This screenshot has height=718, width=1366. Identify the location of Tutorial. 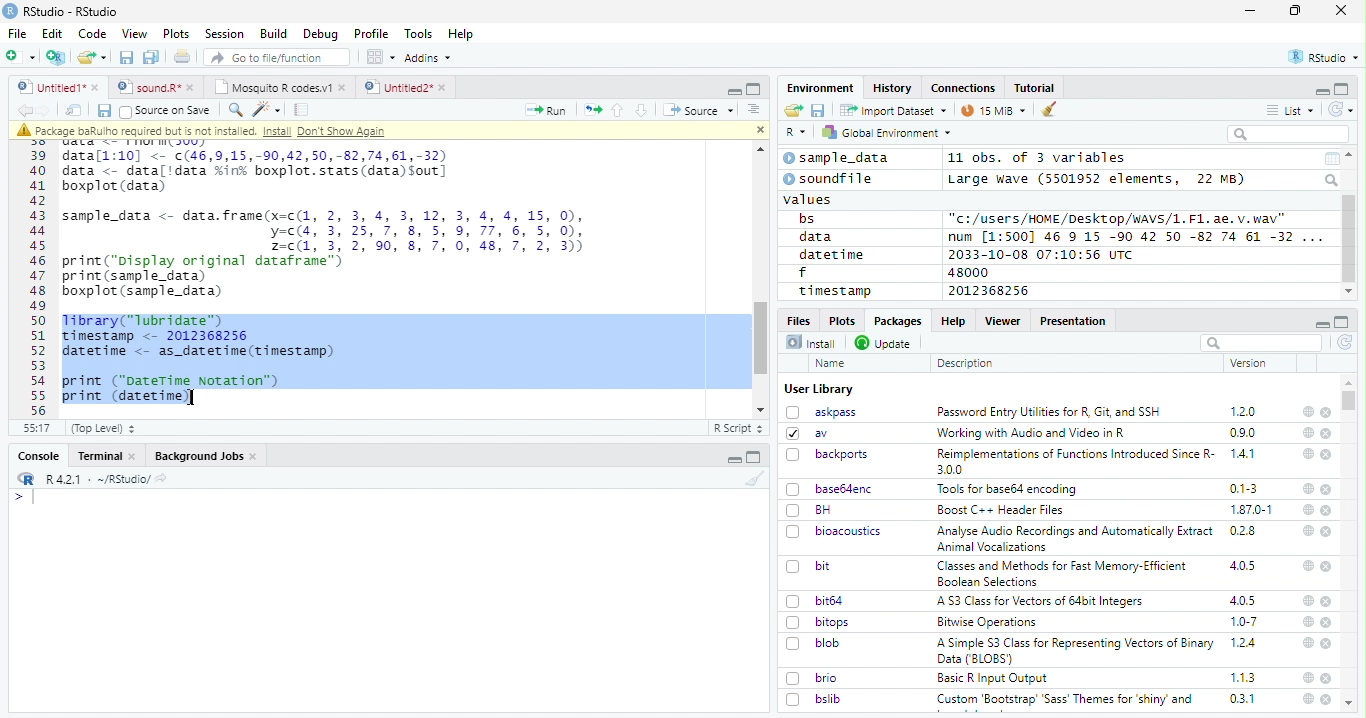
(1036, 88).